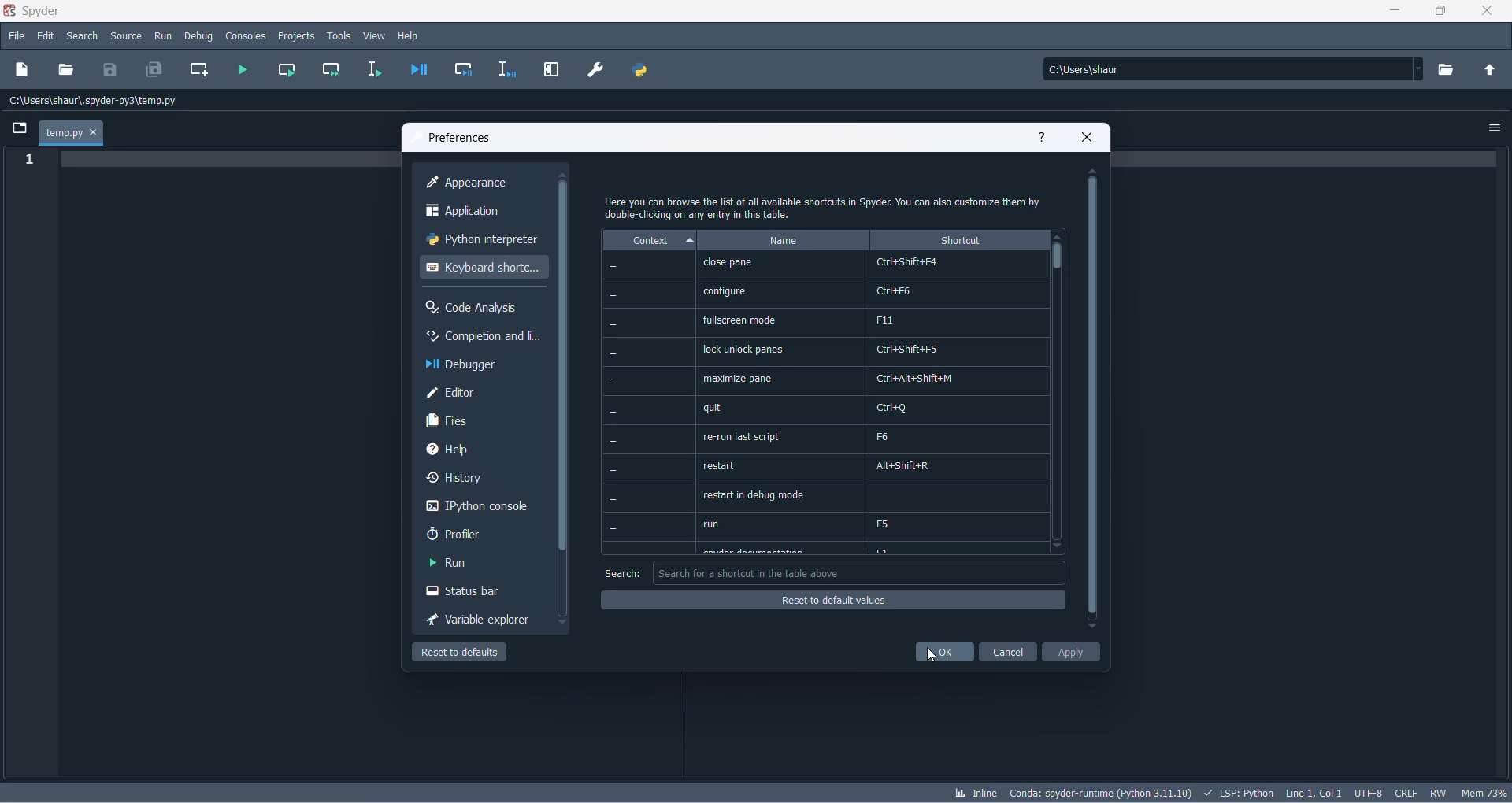  Describe the element at coordinates (46, 35) in the screenshot. I see `edit` at that location.